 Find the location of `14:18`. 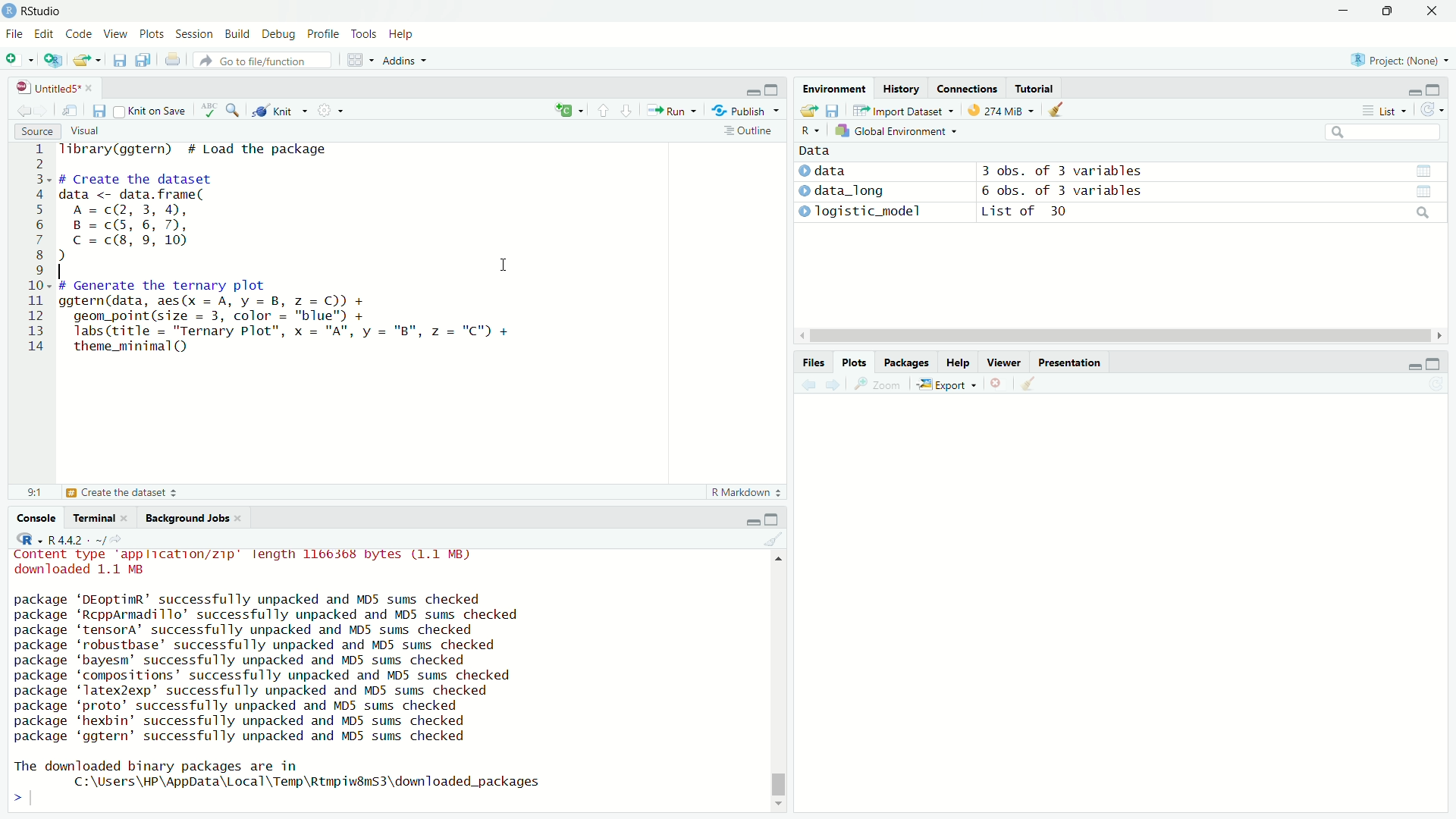

14:18 is located at coordinates (33, 491).